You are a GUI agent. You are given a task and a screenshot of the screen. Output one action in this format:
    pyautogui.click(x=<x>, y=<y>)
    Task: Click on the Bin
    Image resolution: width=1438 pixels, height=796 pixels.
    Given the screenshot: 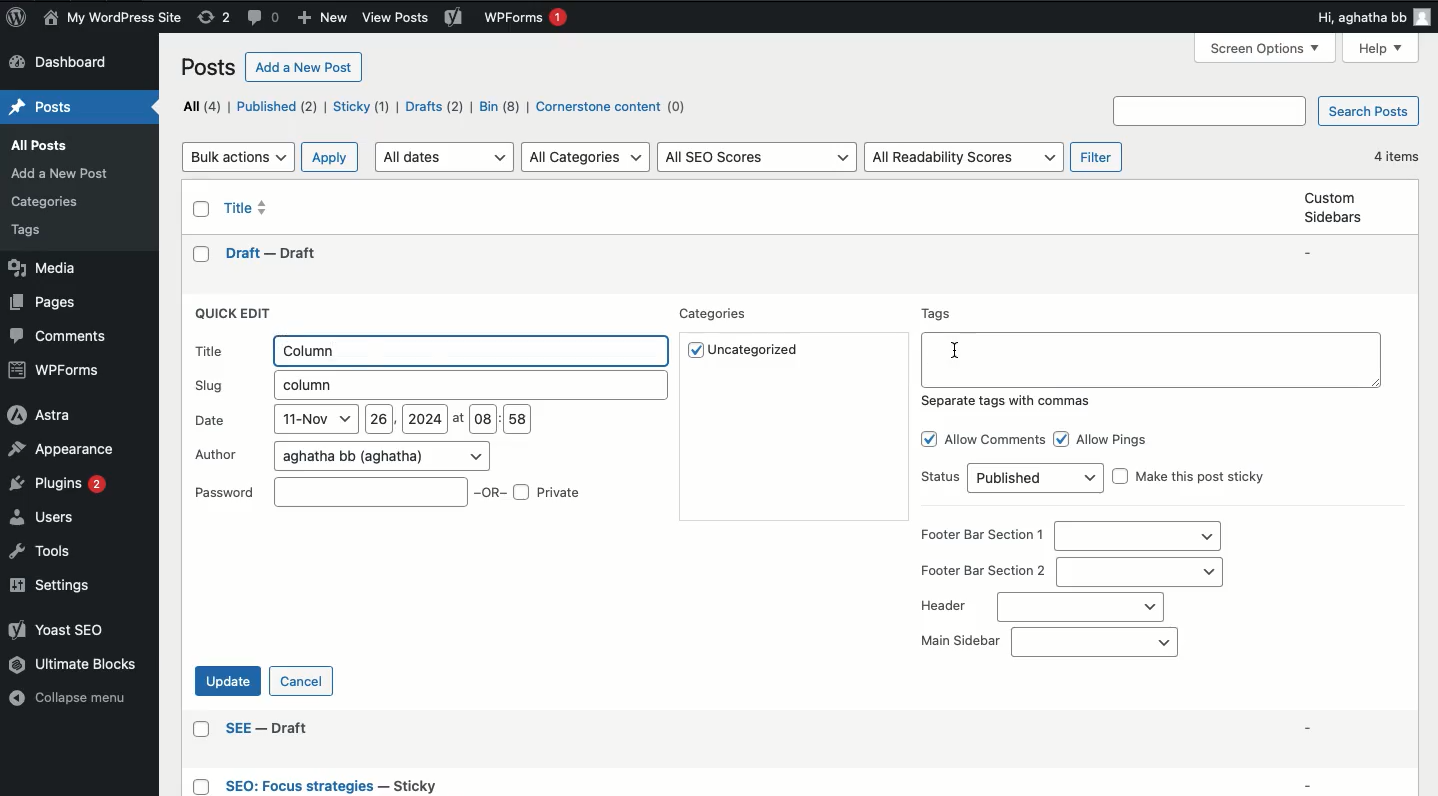 What is the action you would take?
    pyautogui.click(x=500, y=108)
    